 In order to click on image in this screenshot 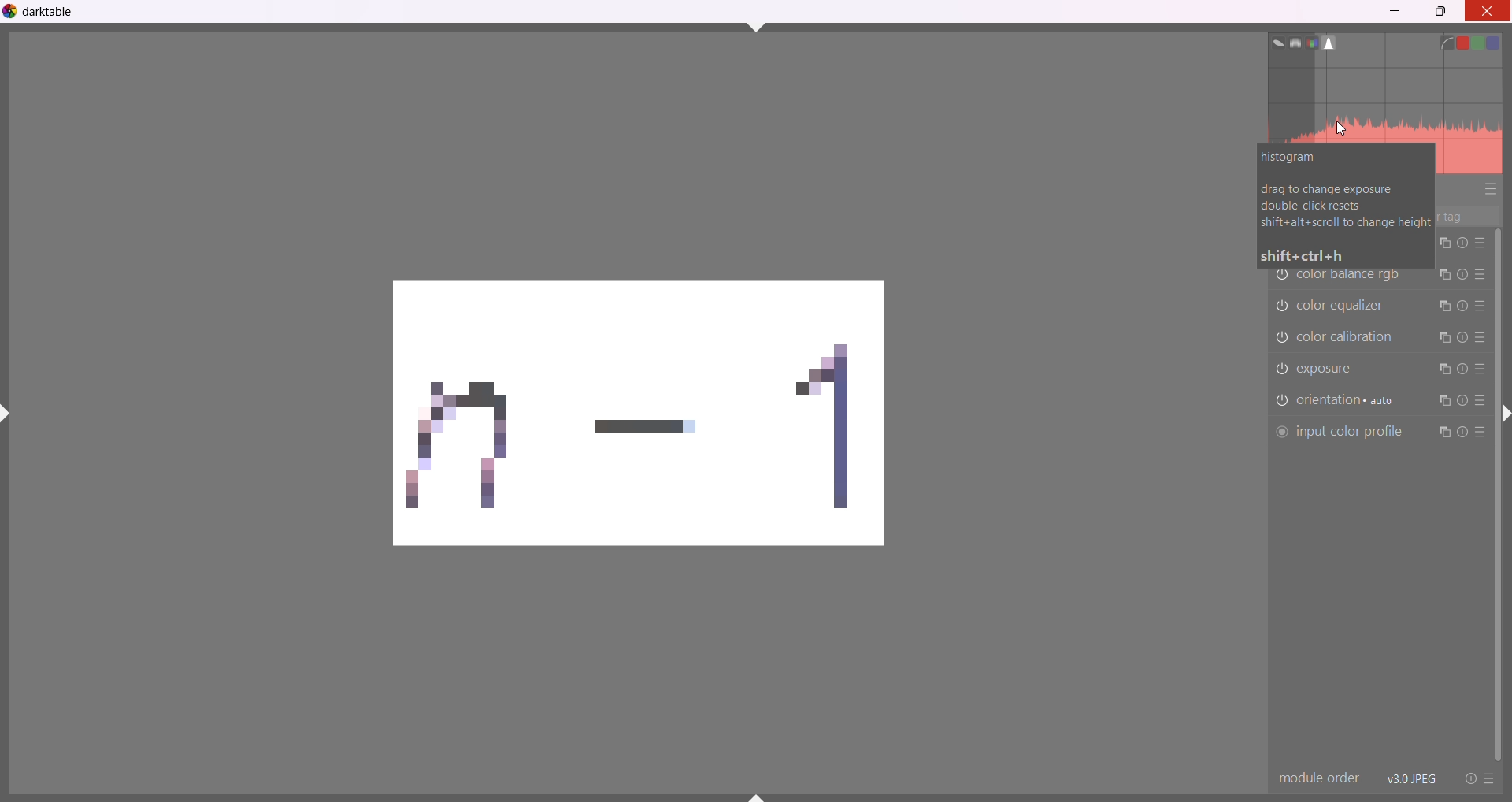, I will do `click(624, 419)`.